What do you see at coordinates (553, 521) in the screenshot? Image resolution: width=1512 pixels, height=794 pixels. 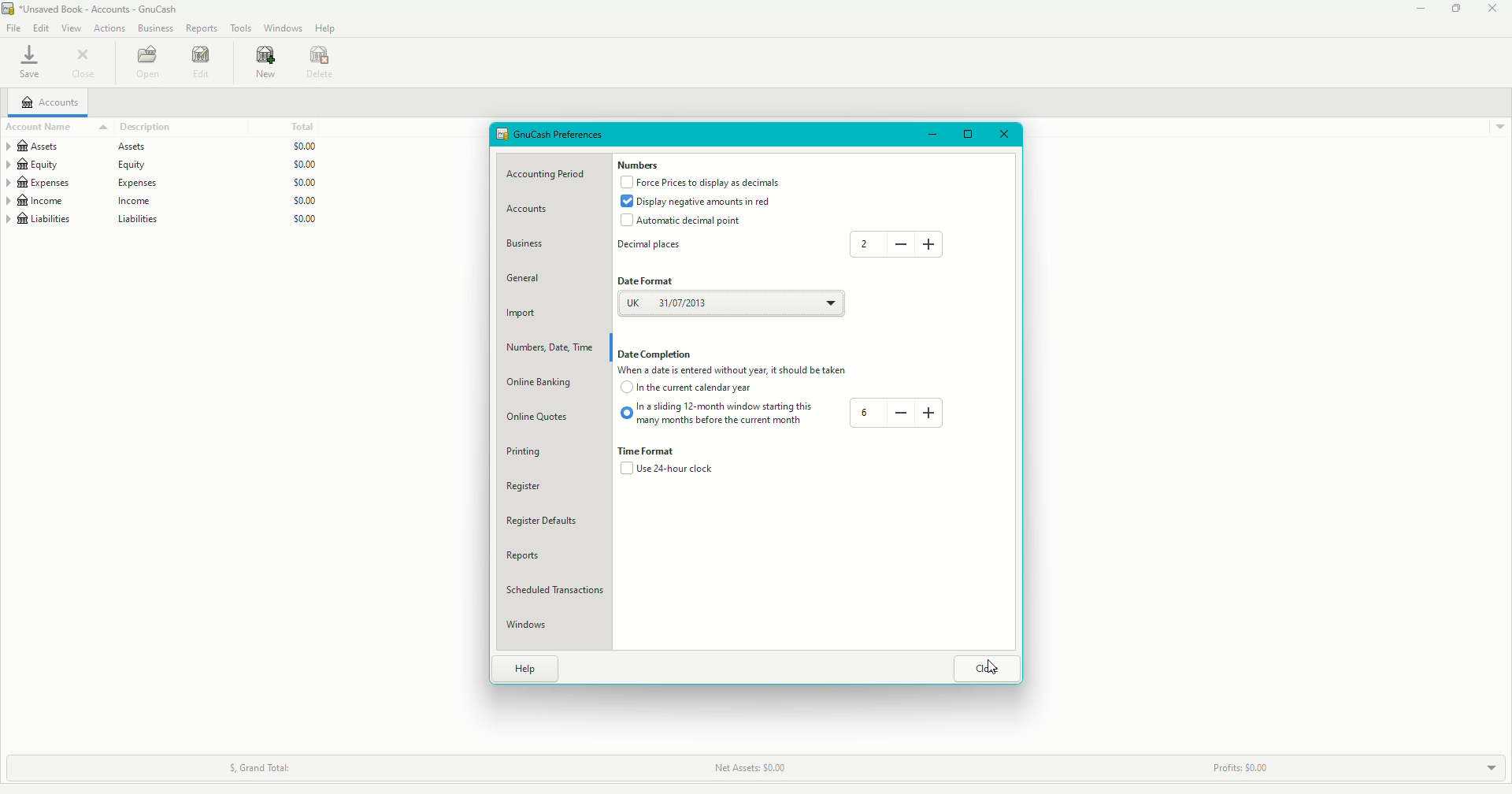 I see `Defaults` at bounding box center [553, 521].